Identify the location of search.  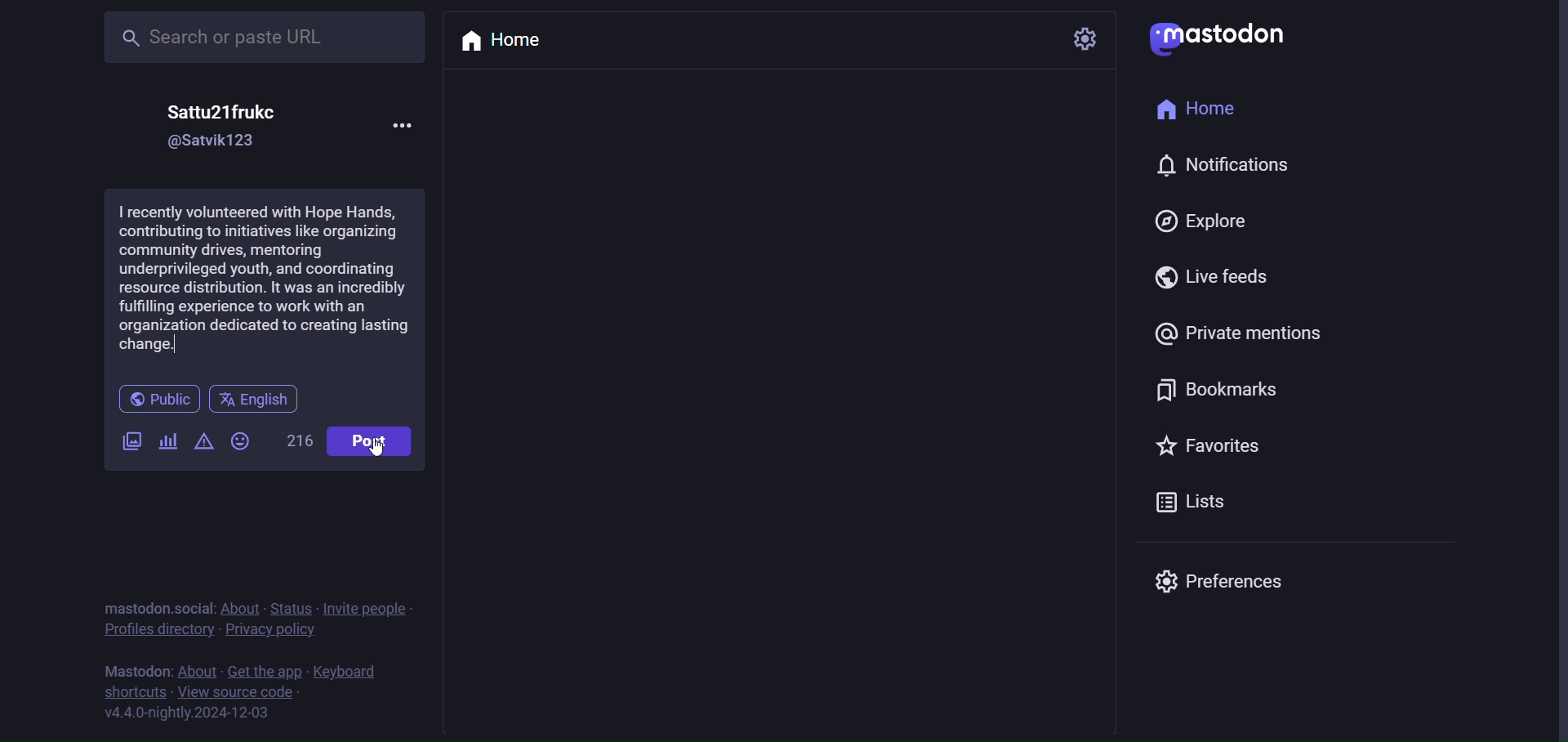
(262, 38).